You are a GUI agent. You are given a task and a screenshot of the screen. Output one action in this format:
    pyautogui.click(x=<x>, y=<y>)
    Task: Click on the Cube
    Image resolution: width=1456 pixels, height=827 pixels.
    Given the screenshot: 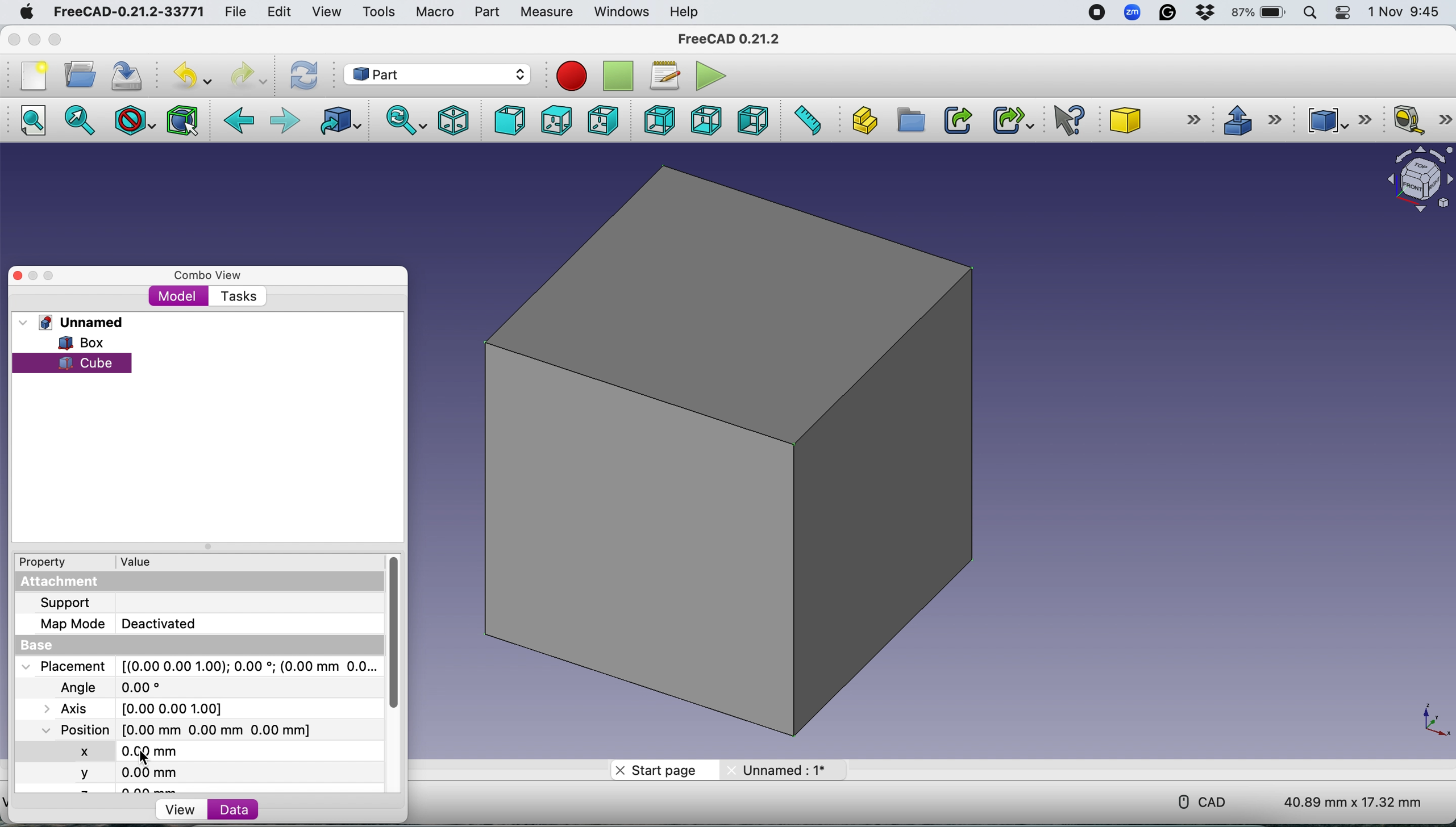 What is the action you would take?
    pyautogui.click(x=1151, y=120)
    